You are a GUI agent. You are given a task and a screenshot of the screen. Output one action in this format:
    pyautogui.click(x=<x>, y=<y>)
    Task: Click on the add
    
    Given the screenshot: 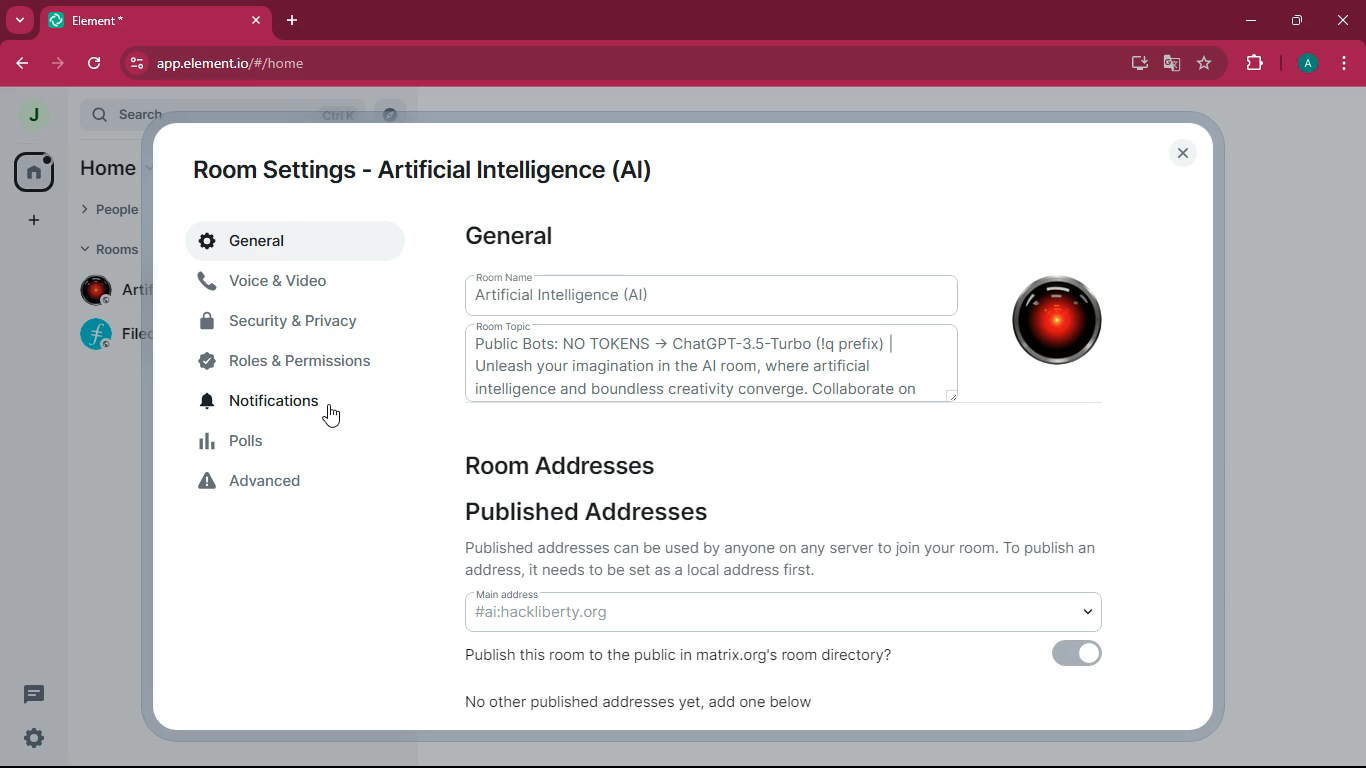 What is the action you would take?
    pyautogui.click(x=34, y=224)
    